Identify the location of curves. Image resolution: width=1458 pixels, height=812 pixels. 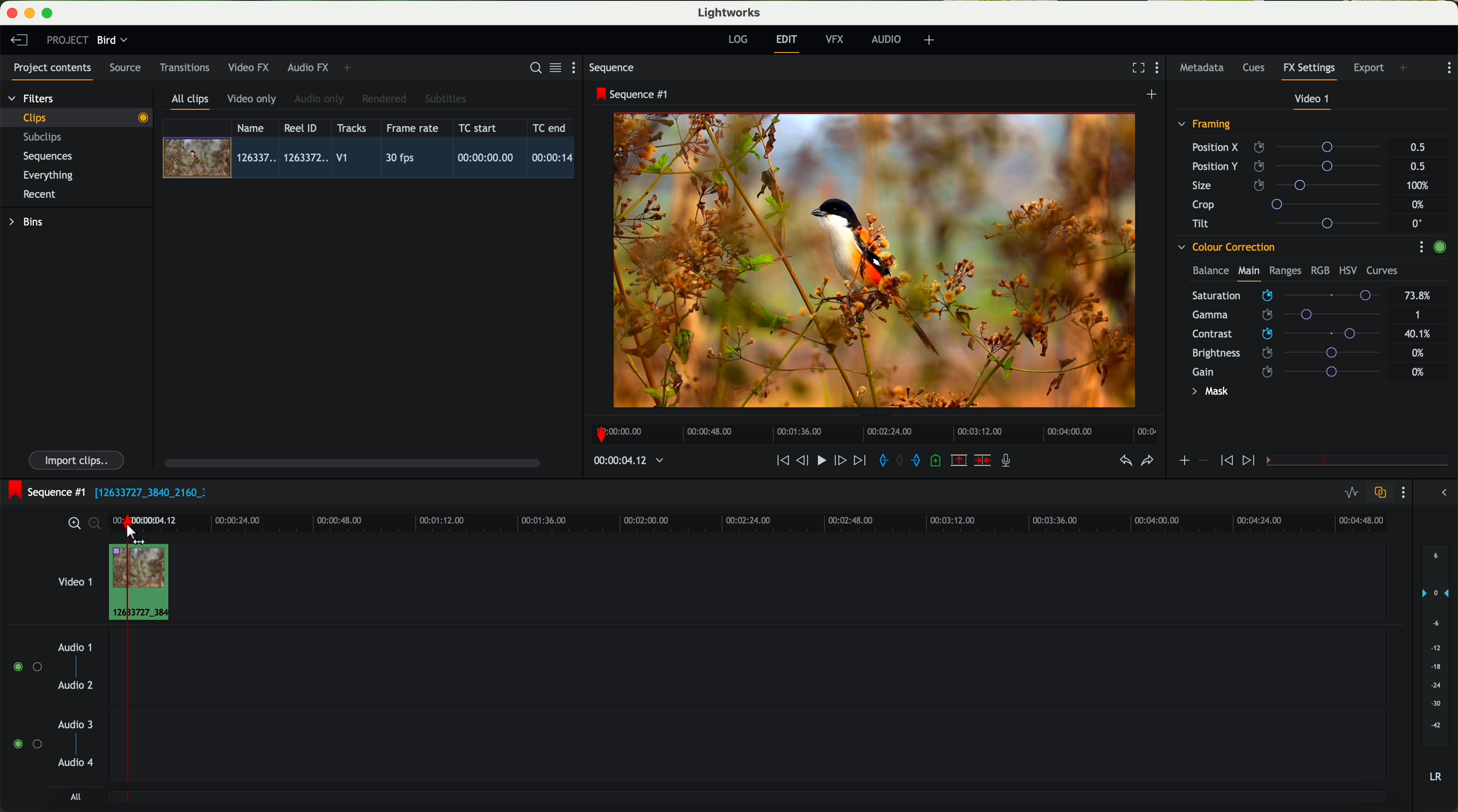
(1382, 271).